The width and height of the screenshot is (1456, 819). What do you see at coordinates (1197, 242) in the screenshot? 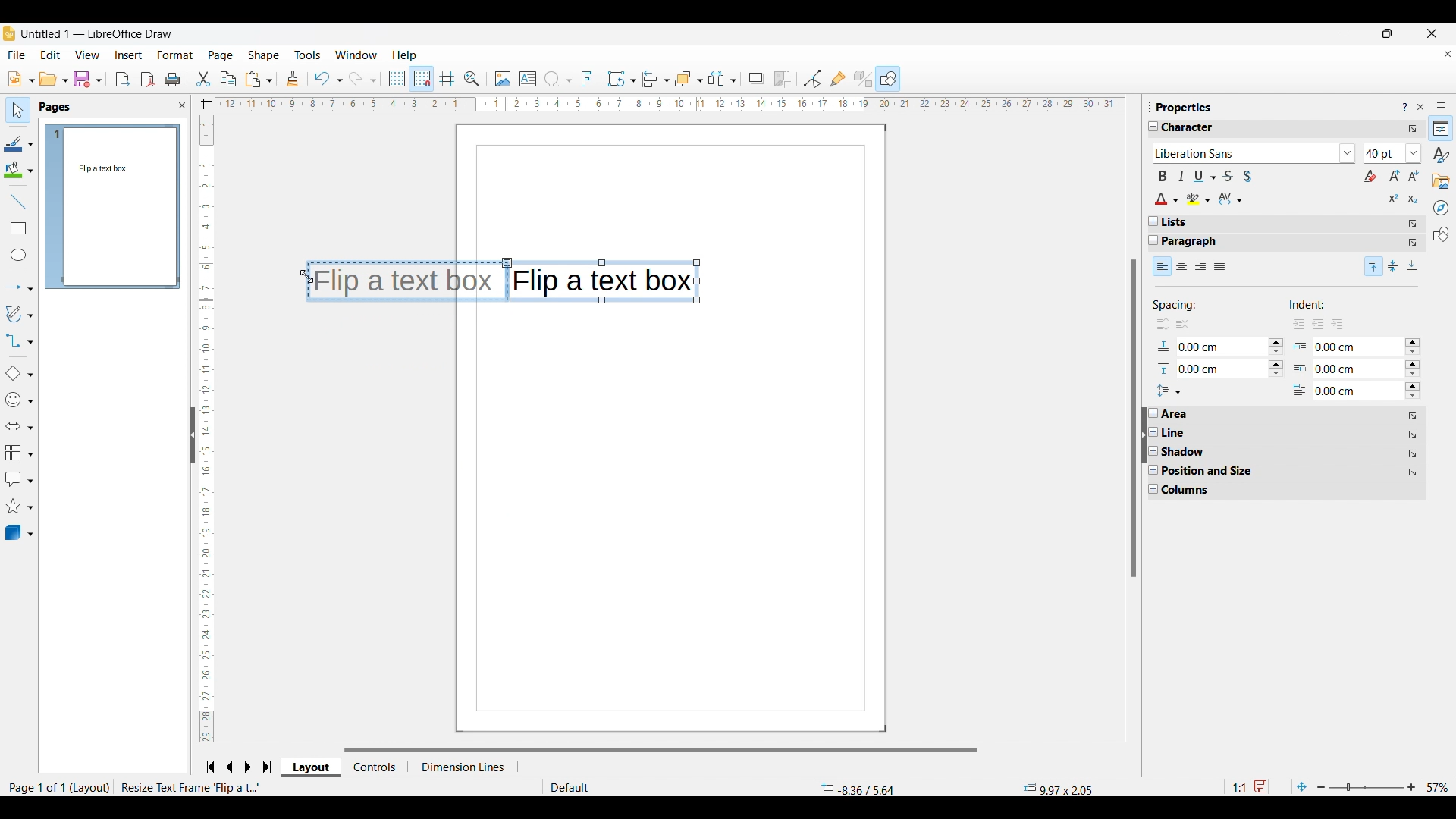
I see `Paragraph properties` at bounding box center [1197, 242].